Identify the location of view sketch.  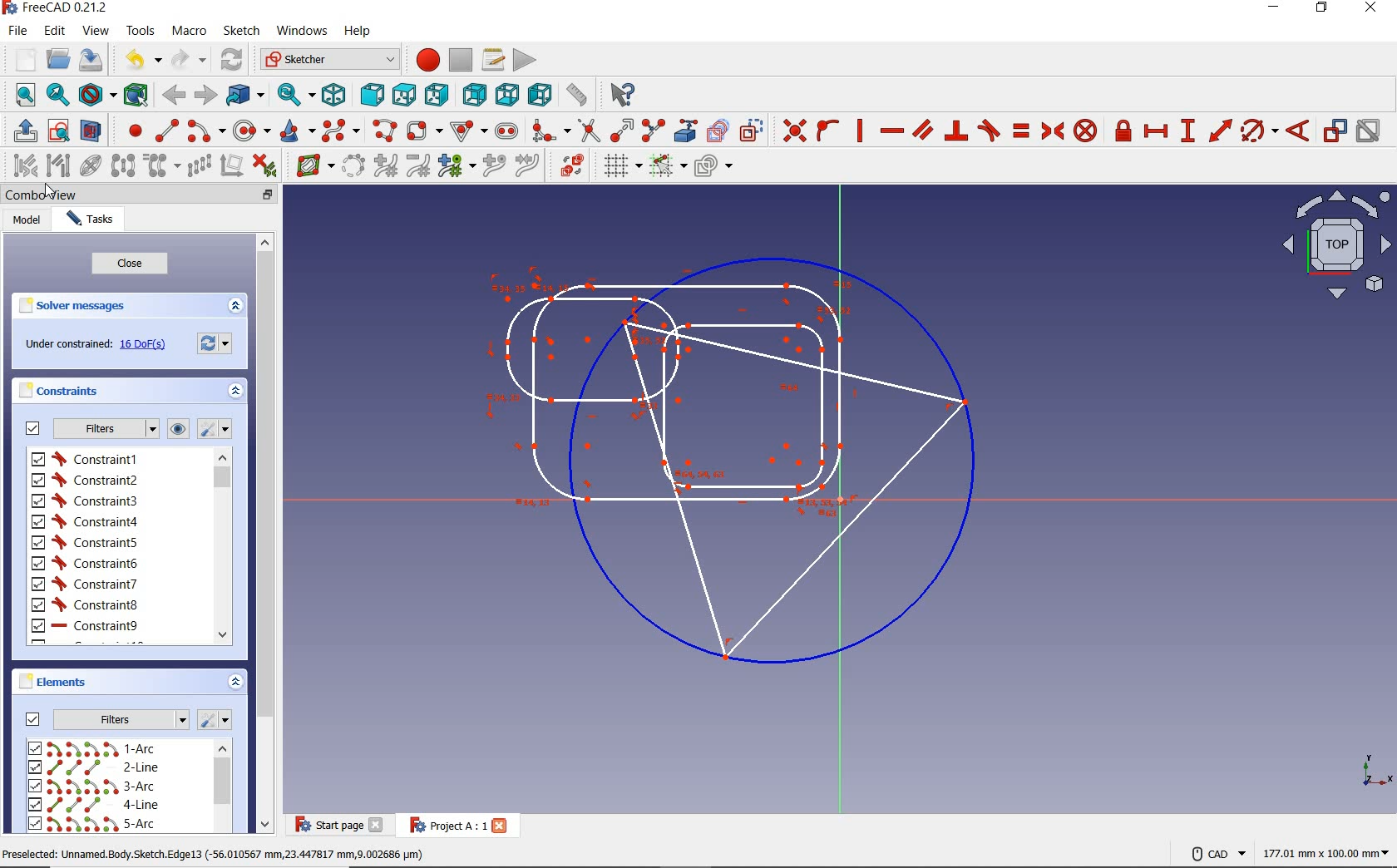
(59, 131).